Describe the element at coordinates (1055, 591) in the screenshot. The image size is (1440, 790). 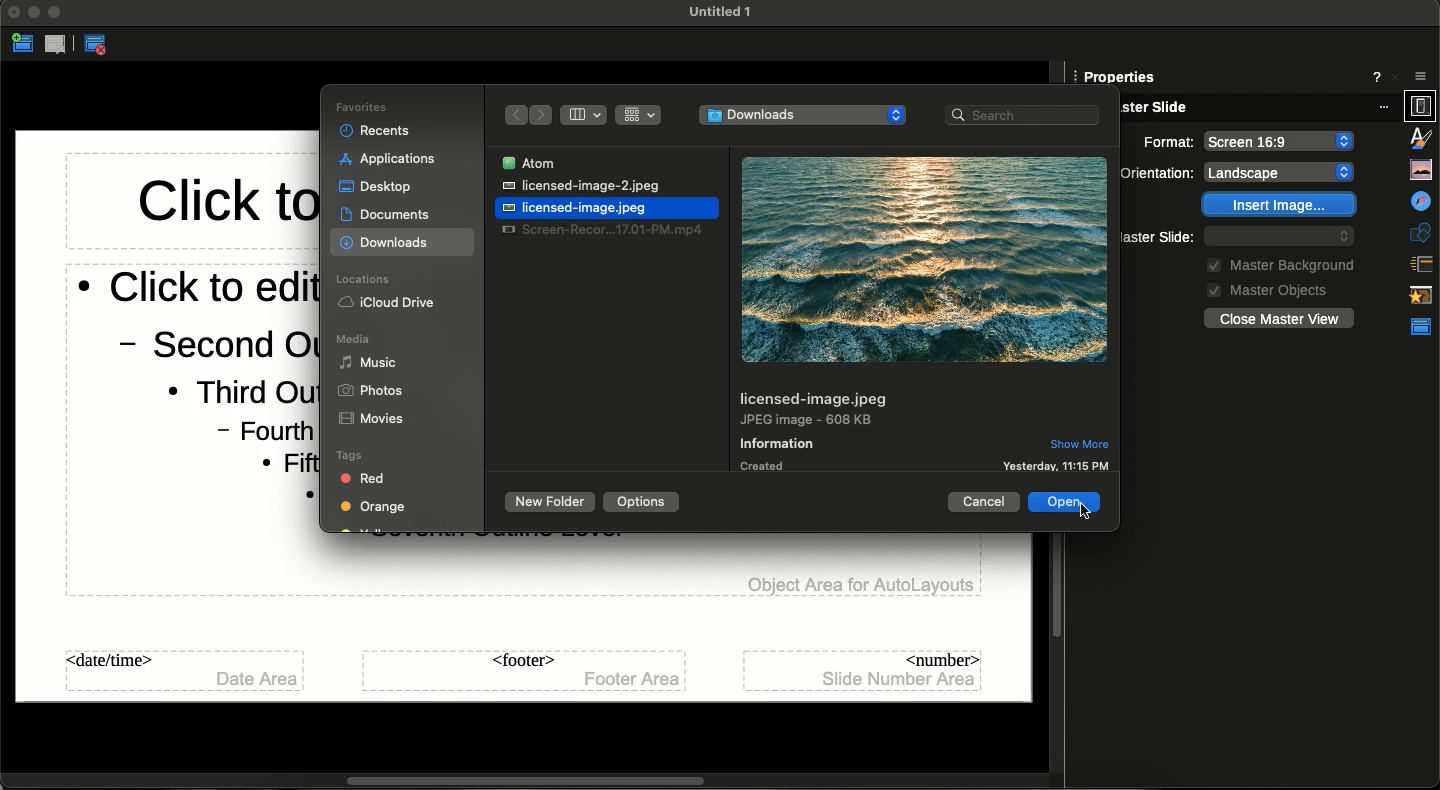
I see `Scroll` at that location.